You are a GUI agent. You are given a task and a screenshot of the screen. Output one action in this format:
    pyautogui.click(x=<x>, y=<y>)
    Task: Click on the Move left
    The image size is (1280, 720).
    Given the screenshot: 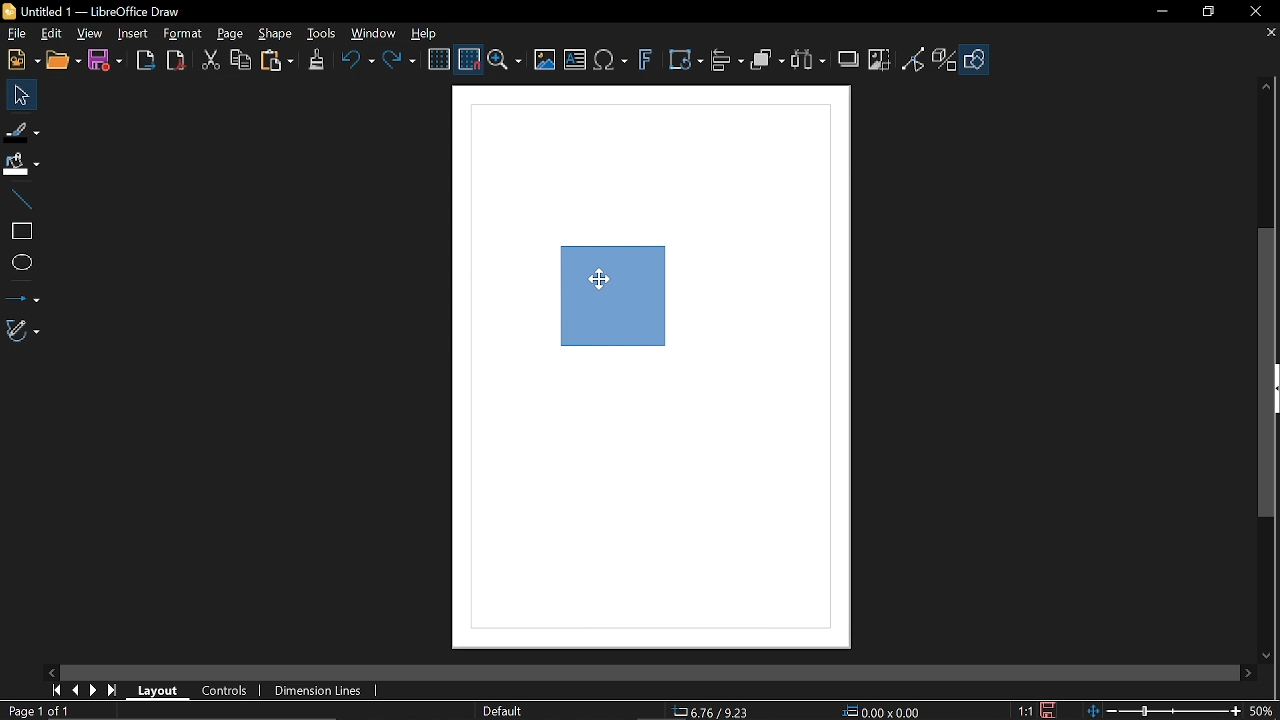 What is the action you would take?
    pyautogui.click(x=52, y=672)
    